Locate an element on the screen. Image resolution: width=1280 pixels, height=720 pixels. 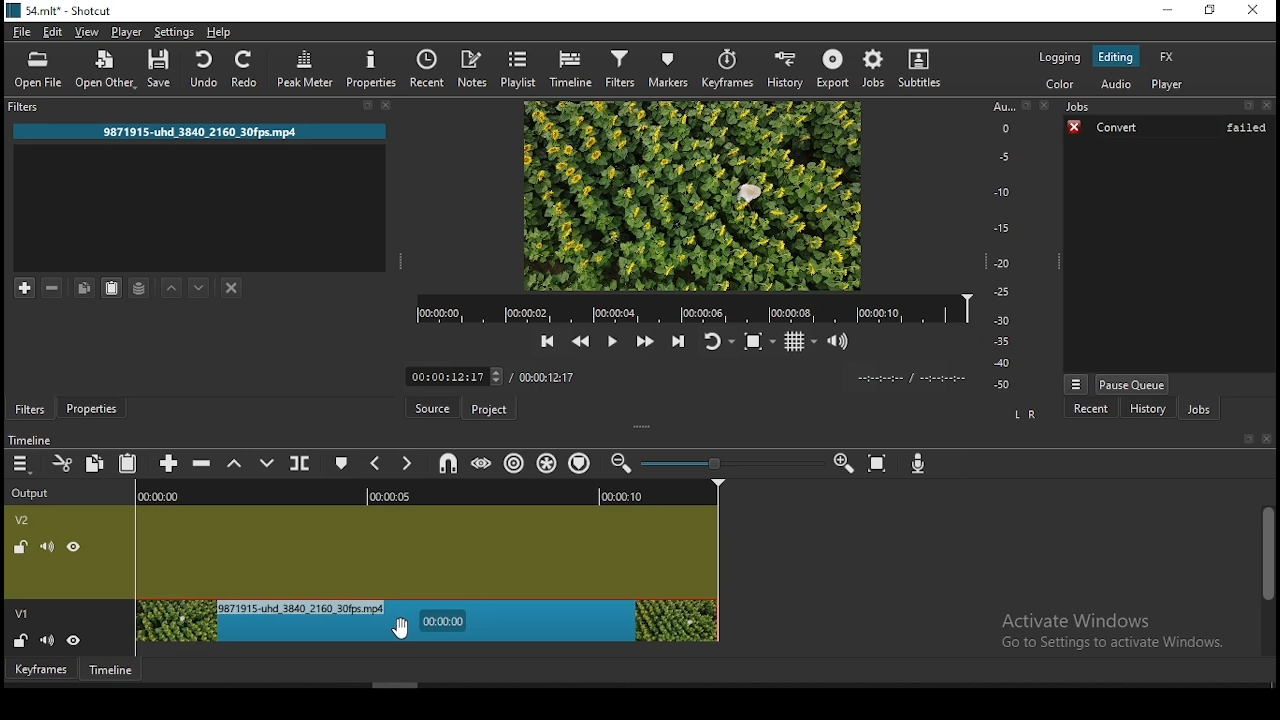
skip to the previous point is located at coordinates (547, 342).